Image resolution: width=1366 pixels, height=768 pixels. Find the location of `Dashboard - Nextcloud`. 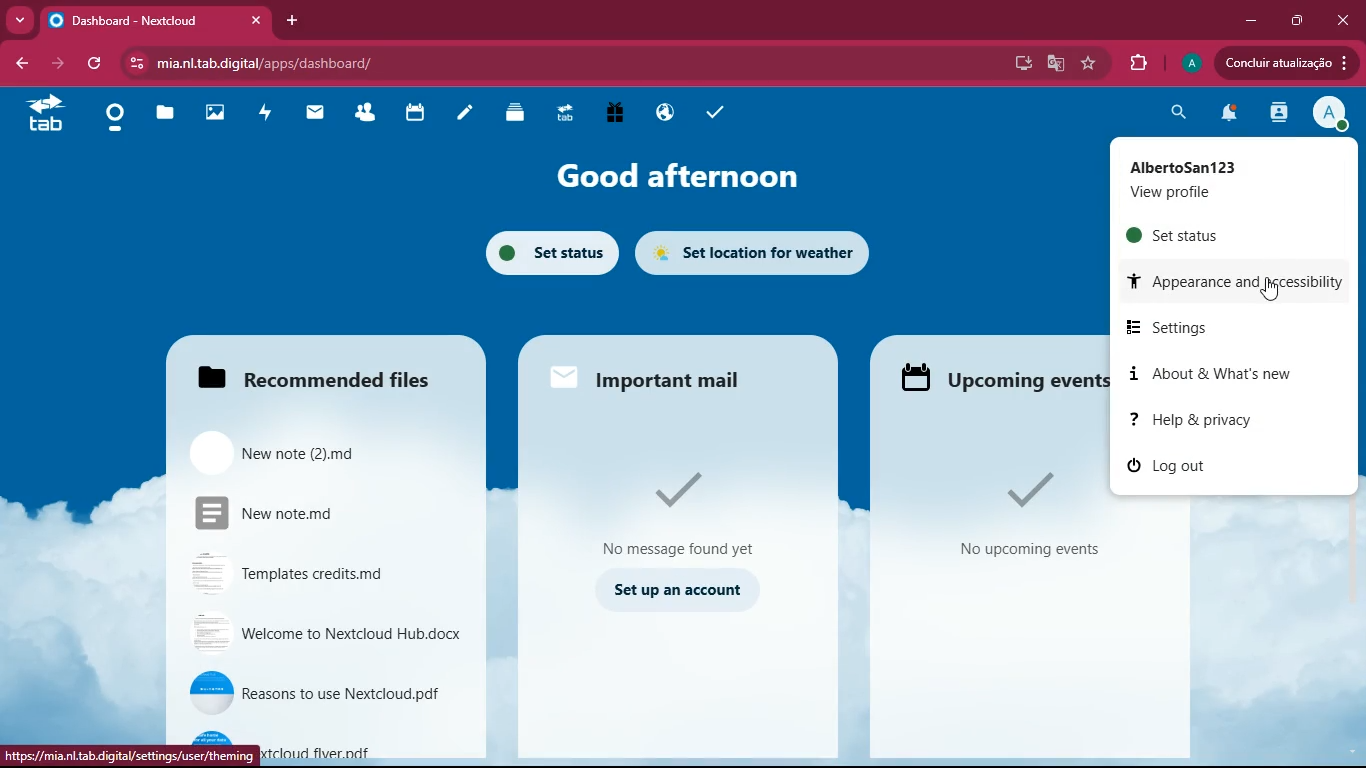

Dashboard - Nextcloud is located at coordinates (157, 21).